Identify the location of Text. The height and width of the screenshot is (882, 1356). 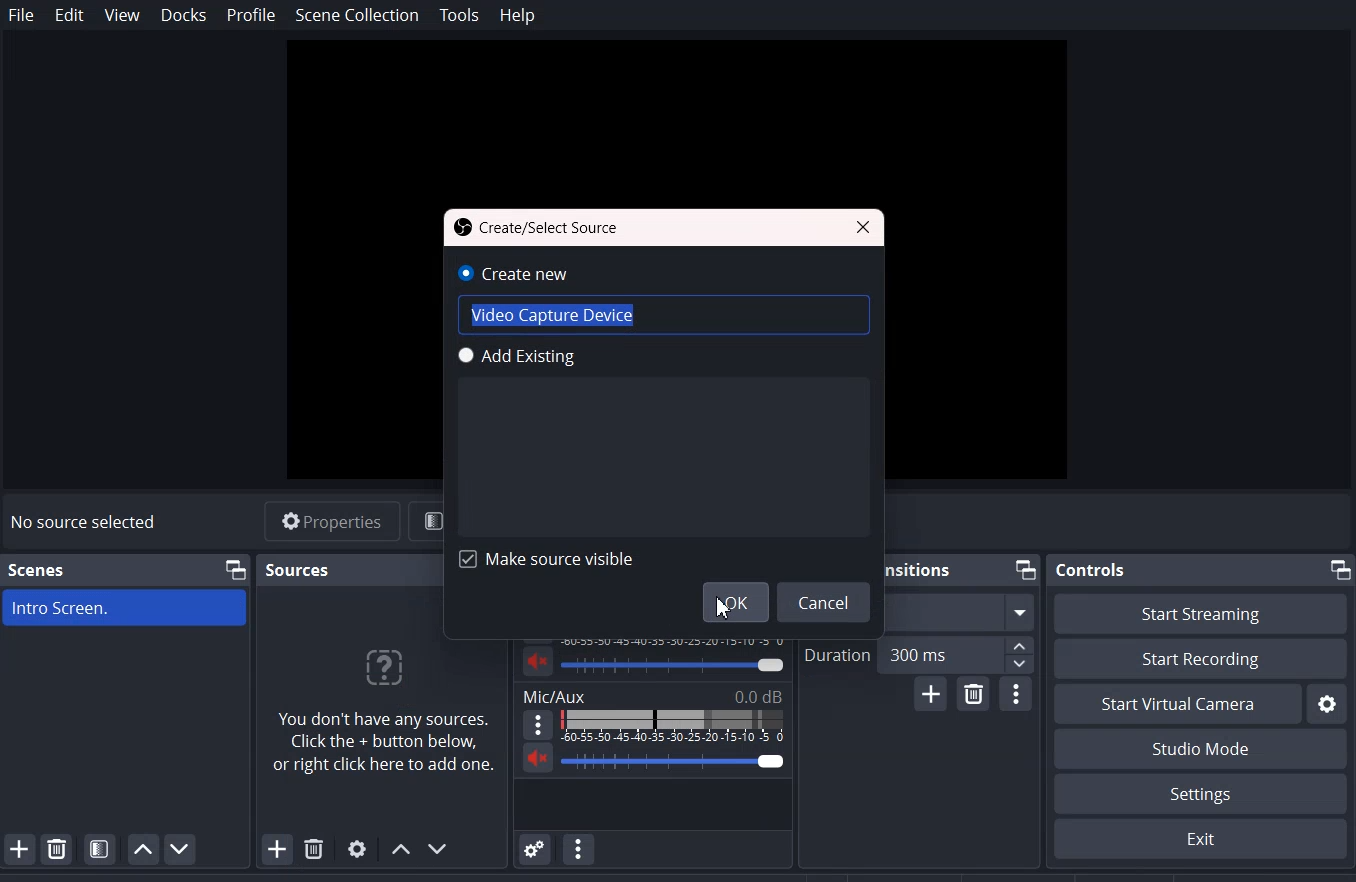
(651, 695).